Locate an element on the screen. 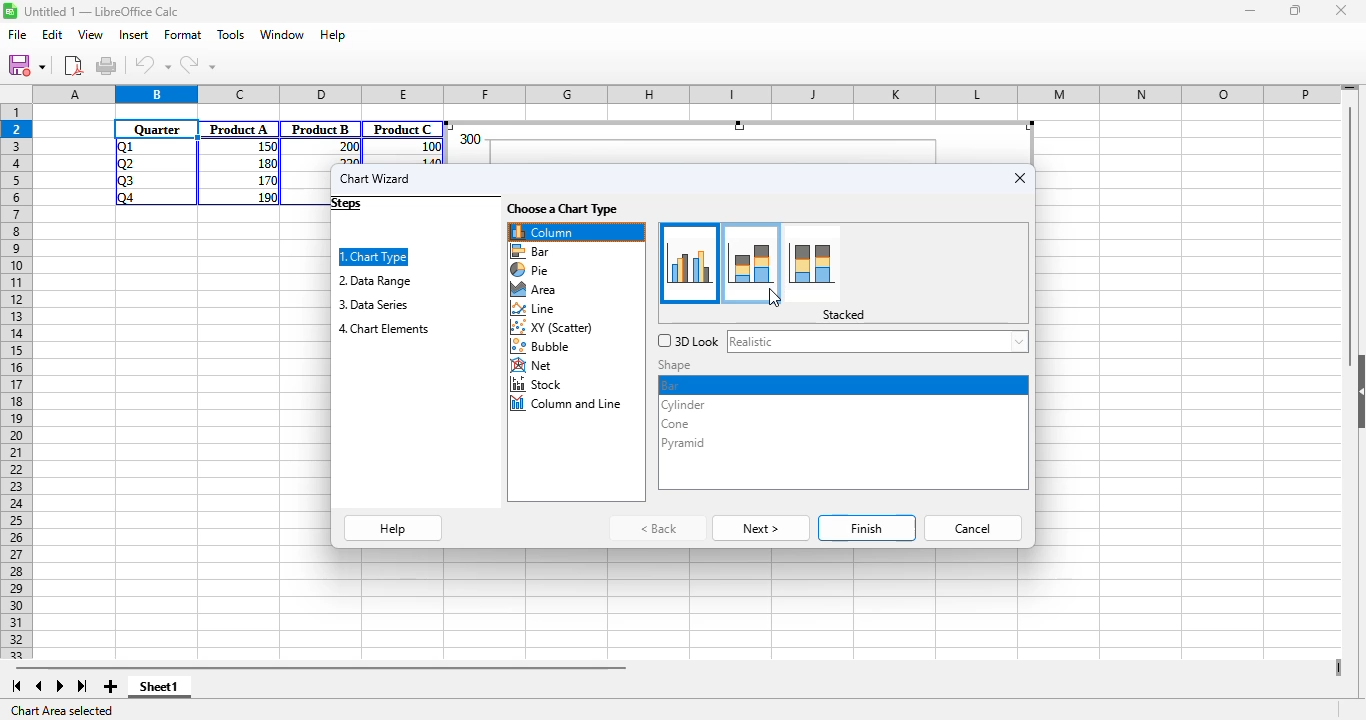 Image resolution: width=1366 pixels, height=720 pixels. rows is located at coordinates (16, 373).